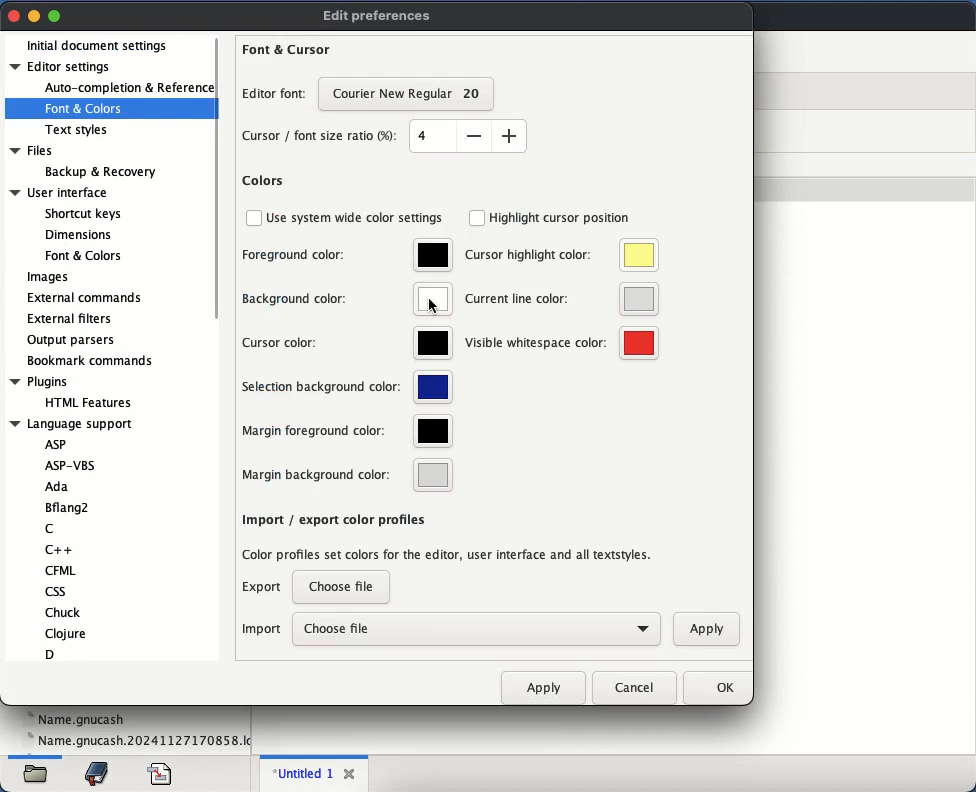 The width and height of the screenshot is (976, 792). What do you see at coordinates (61, 611) in the screenshot?
I see `Chuck` at bounding box center [61, 611].